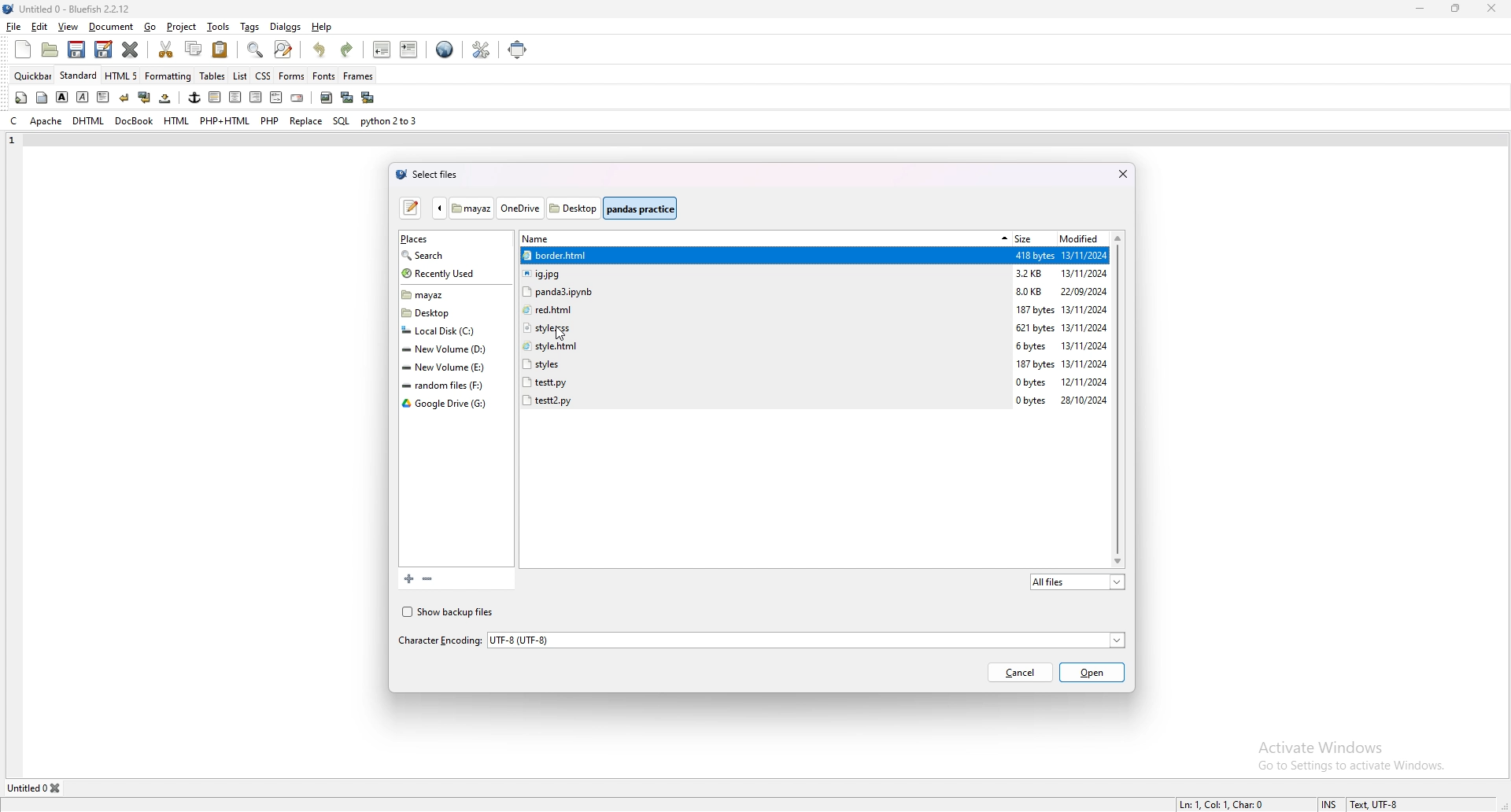 The width and height of the screenshot is (1511, 812). I want to click on open, so click(1092, 674).